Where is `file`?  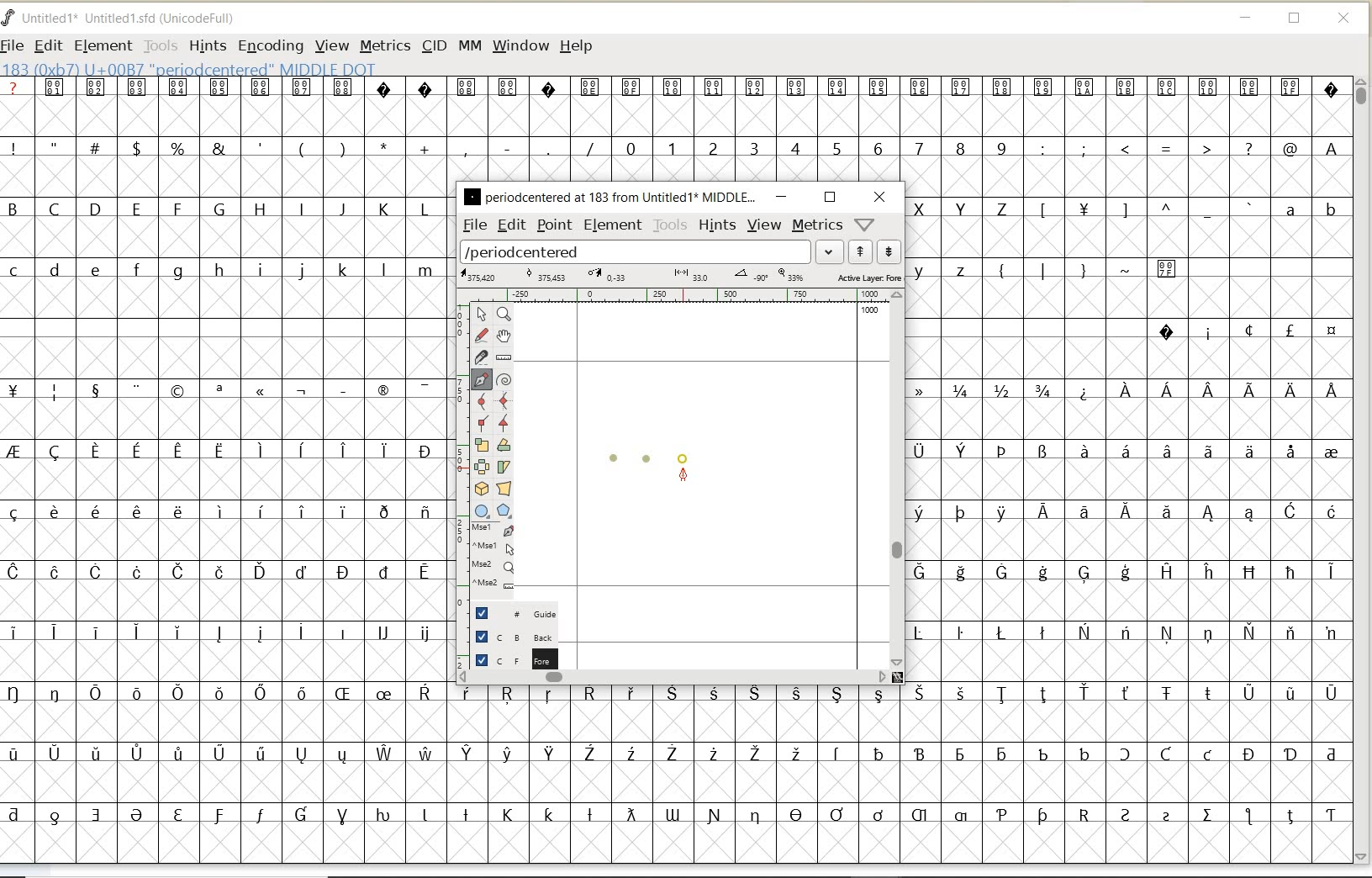 file is located at coordinates (472, 225).